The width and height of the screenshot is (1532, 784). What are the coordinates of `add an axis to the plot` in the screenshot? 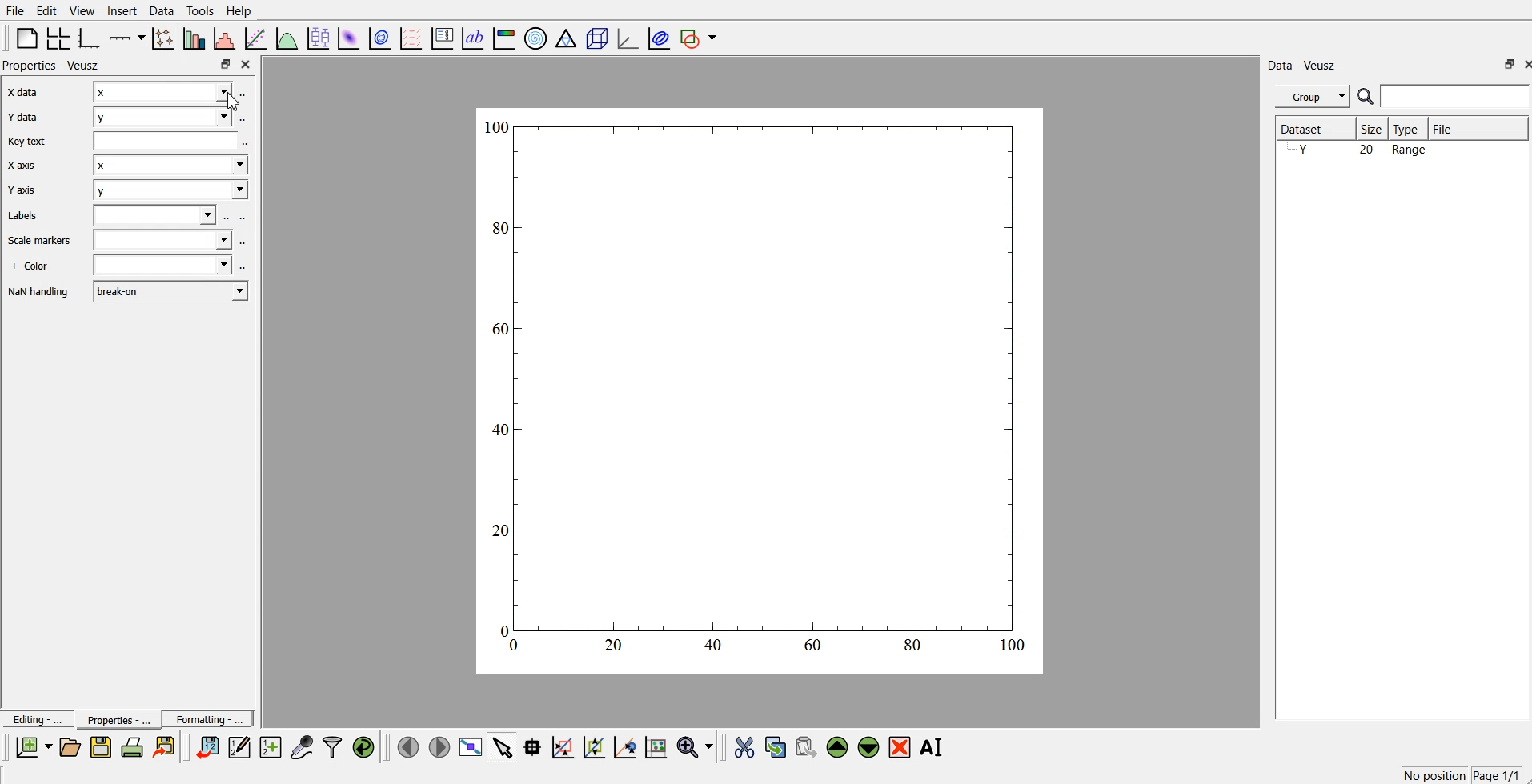 It's located at (127, 37).